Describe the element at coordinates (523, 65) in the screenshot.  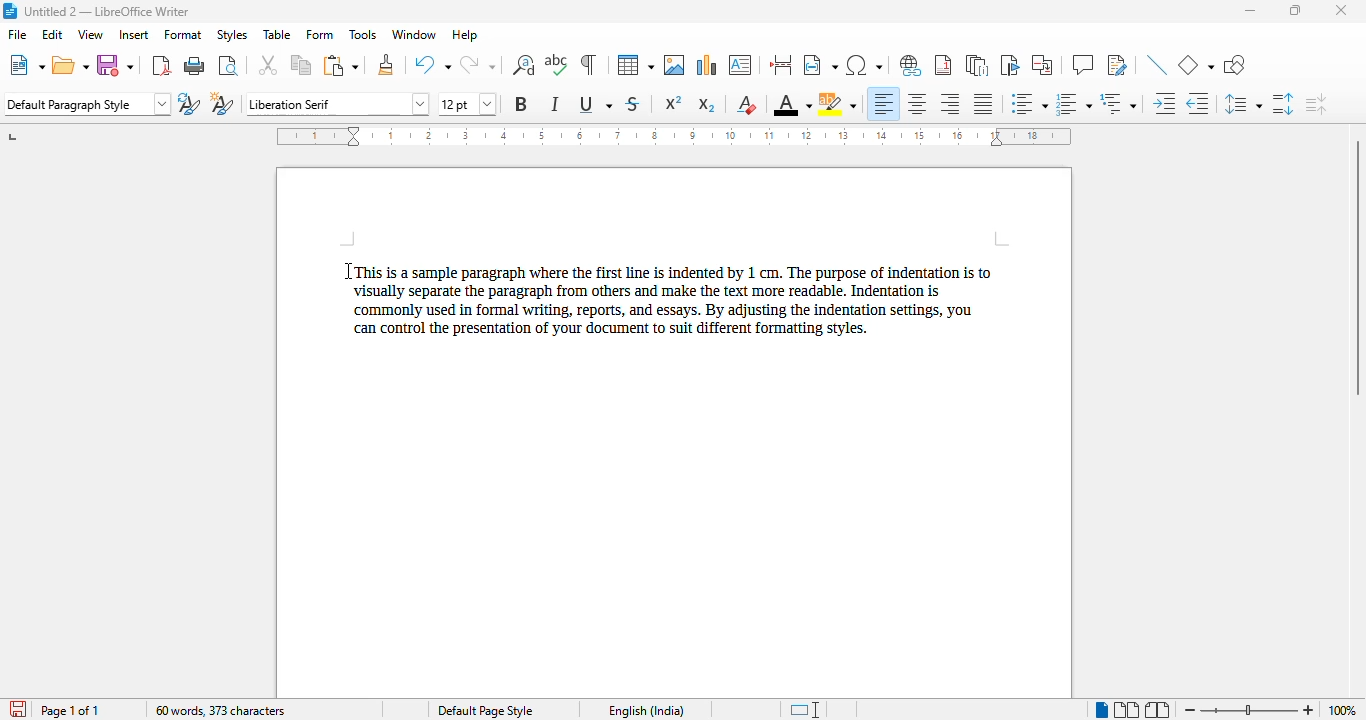
I see `find and replace` at that location.